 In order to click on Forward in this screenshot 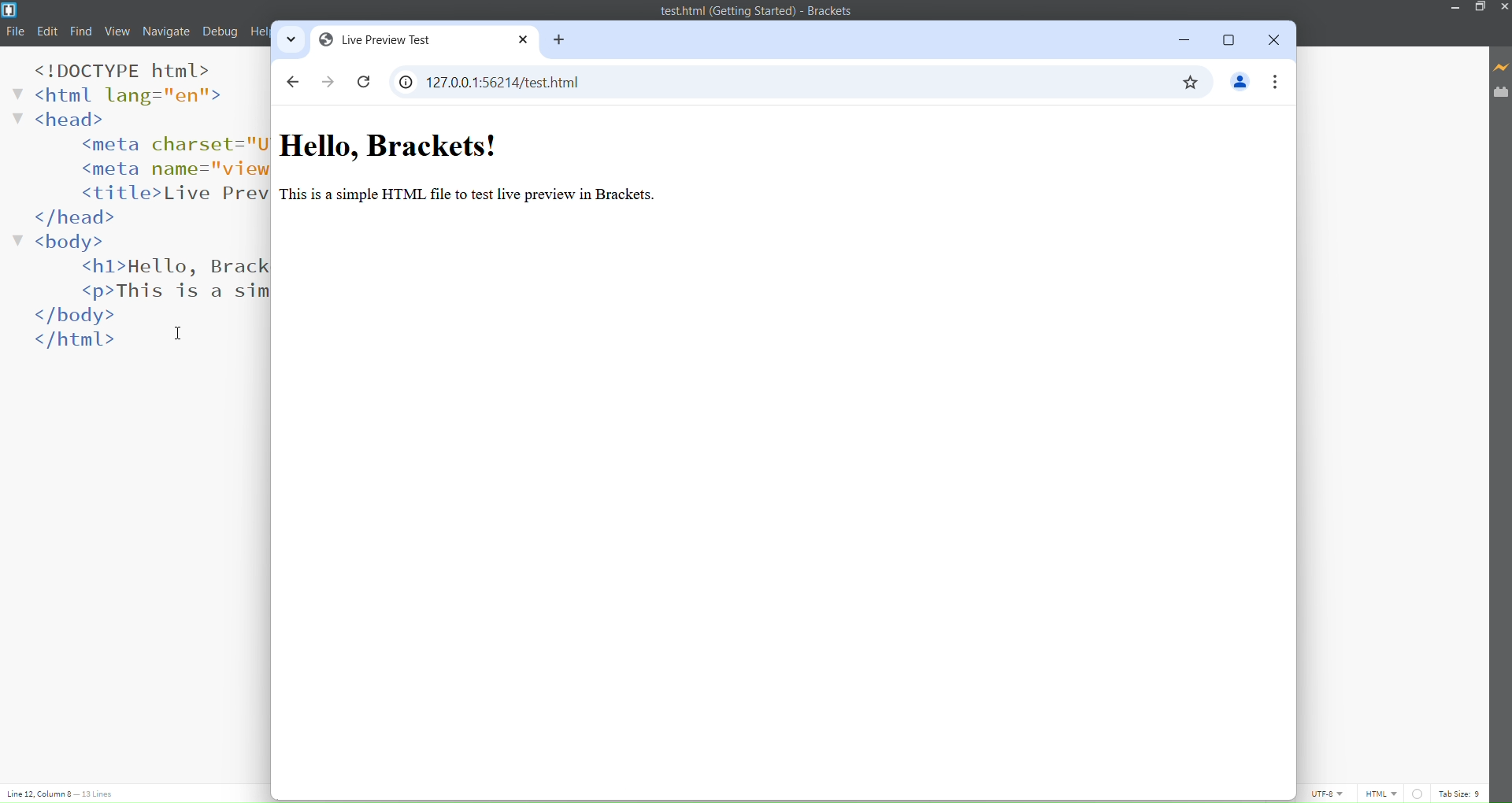, I will do `click(328, 83)`.